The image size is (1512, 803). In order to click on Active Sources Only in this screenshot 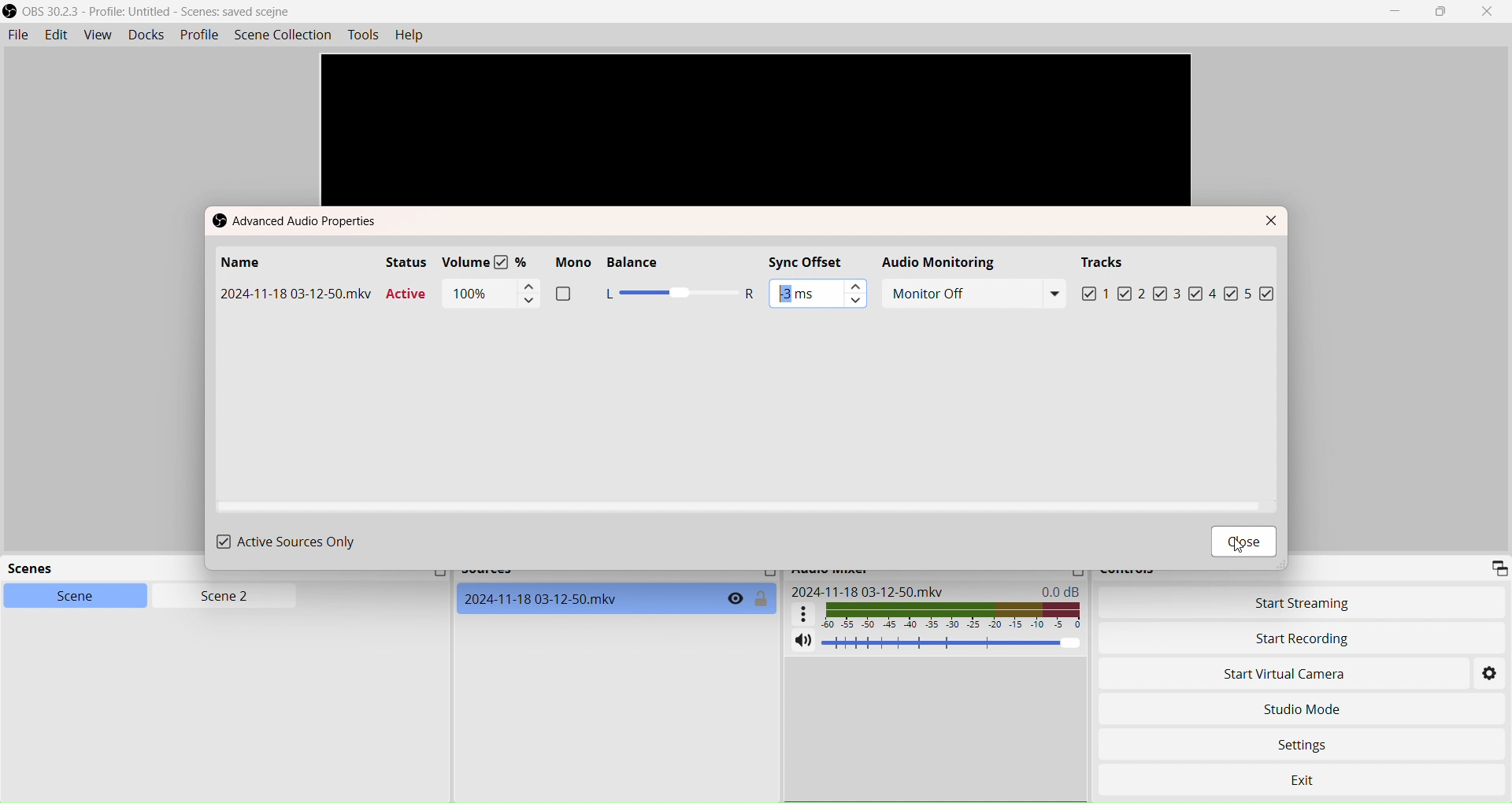, I will do `click(288, 542)`.